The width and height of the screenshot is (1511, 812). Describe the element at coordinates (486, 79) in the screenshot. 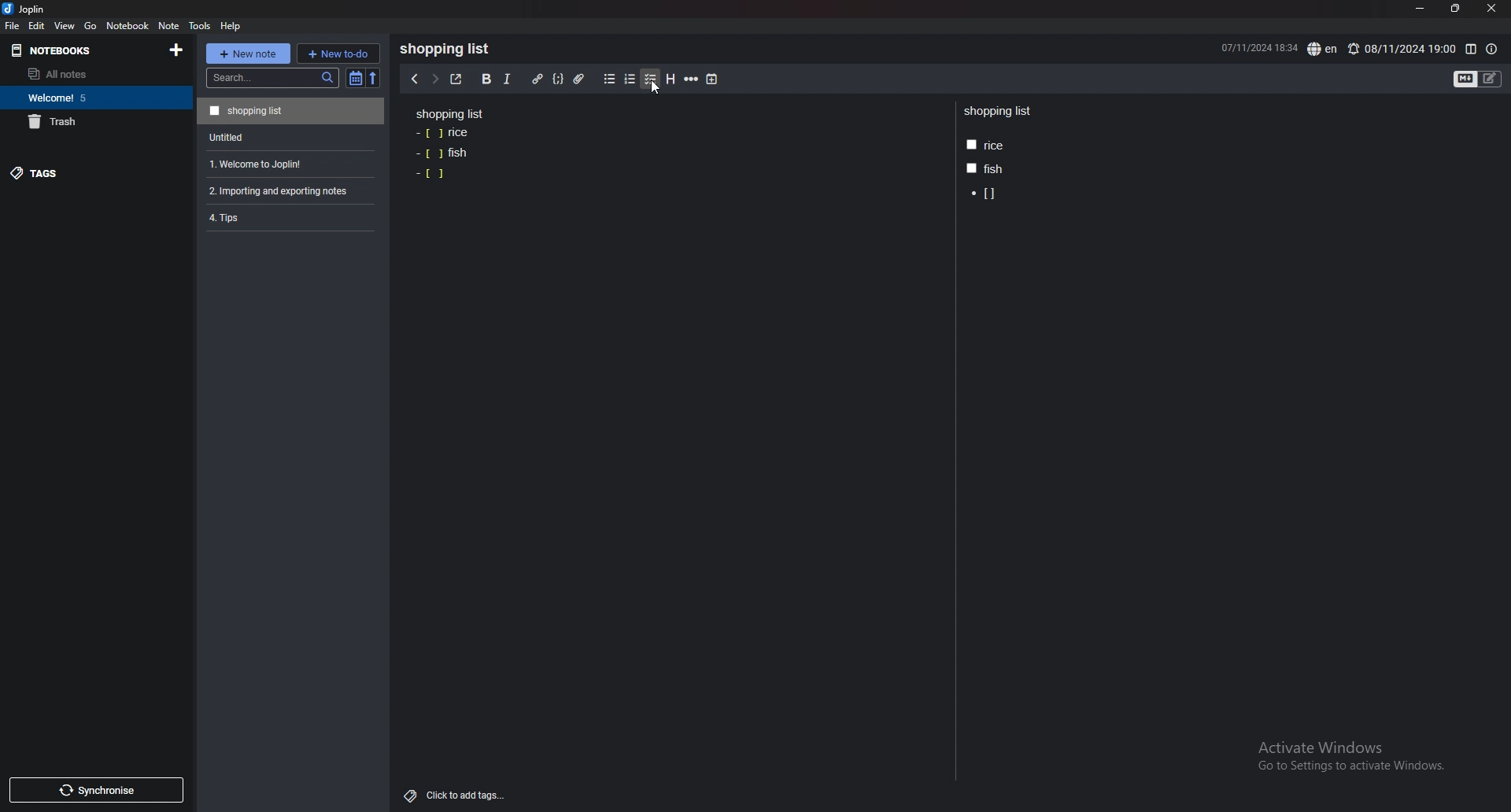

I see `bold` at that location.